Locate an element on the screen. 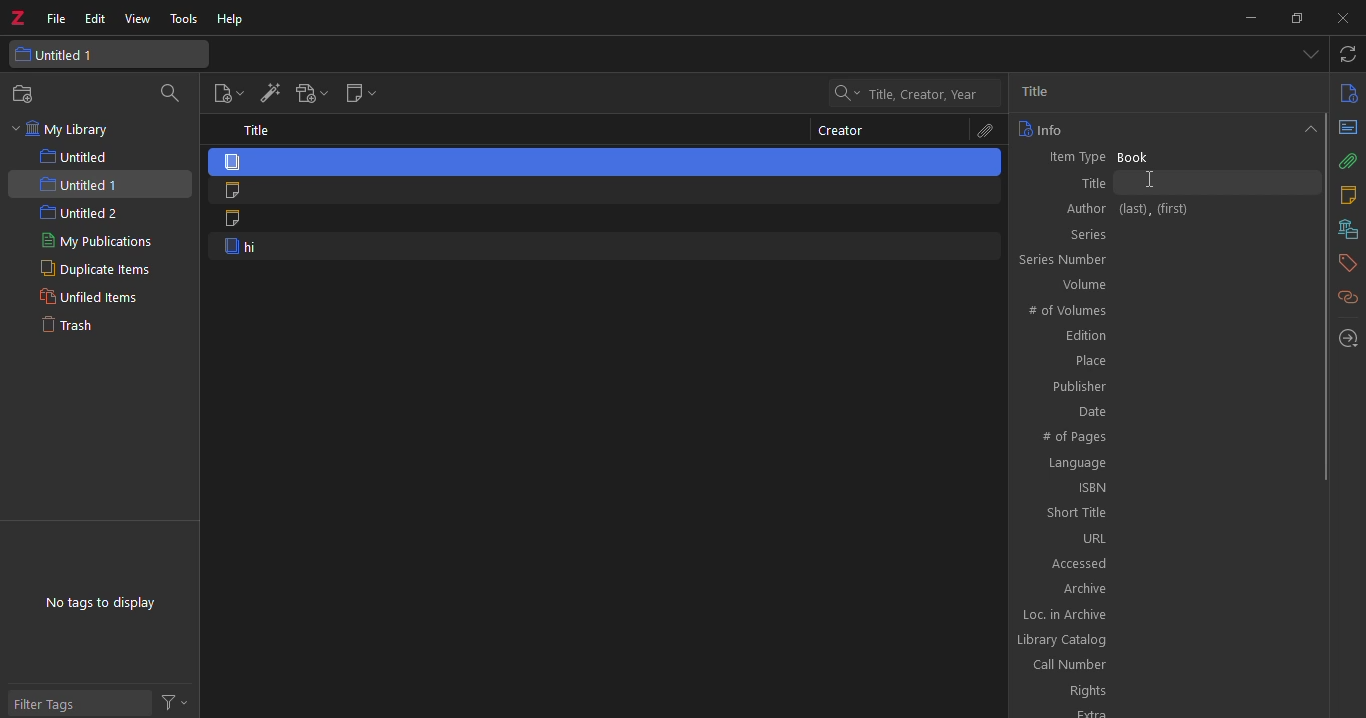 The width and height of the screenshot is (1366, 718). new item is located at coordinates (225, 94).